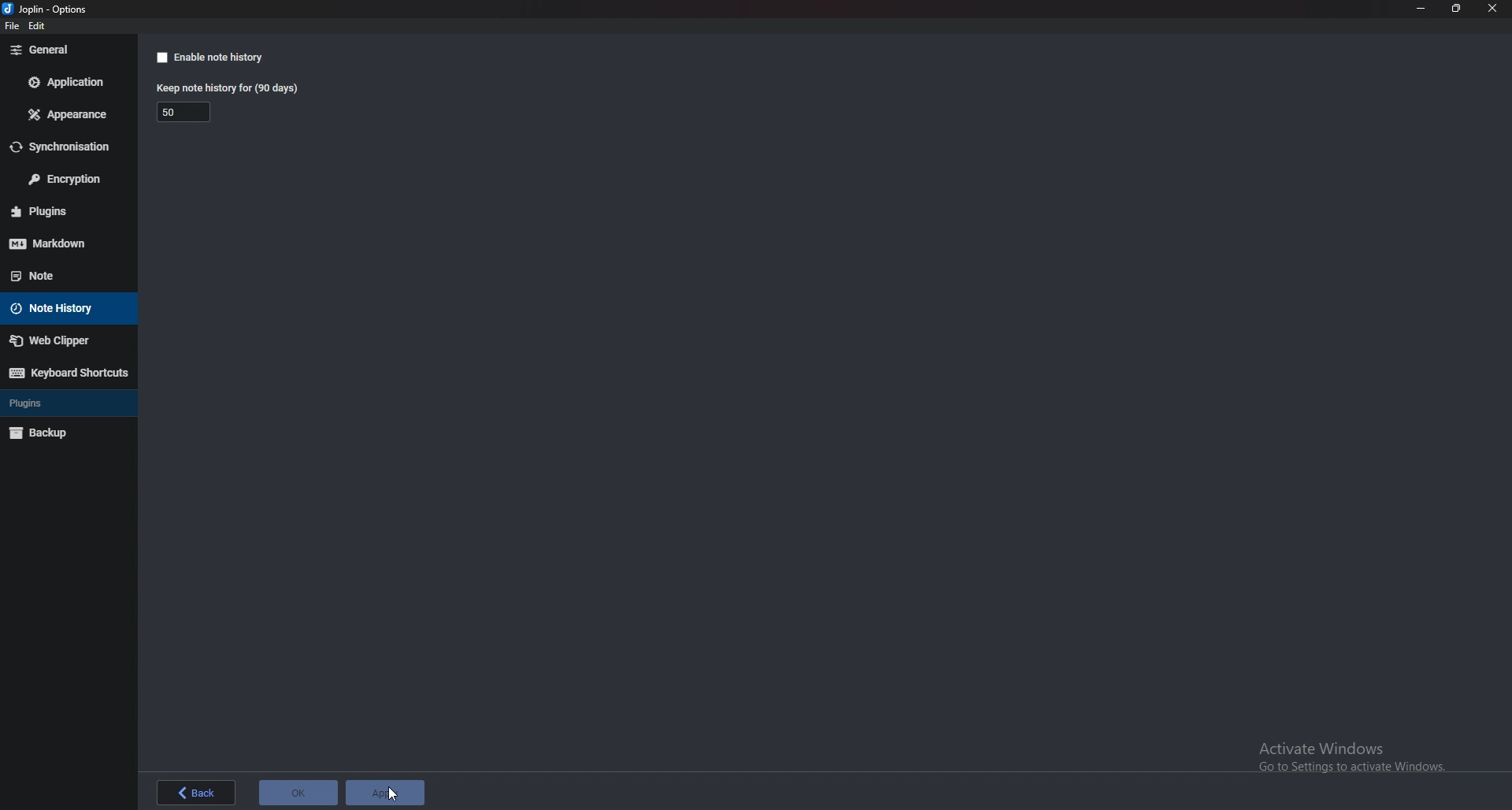 This screenshot has height=810, width=1512. Describe the element at coordinates (62, 340) in the screenshot. I see `Web Clipper` at that location.